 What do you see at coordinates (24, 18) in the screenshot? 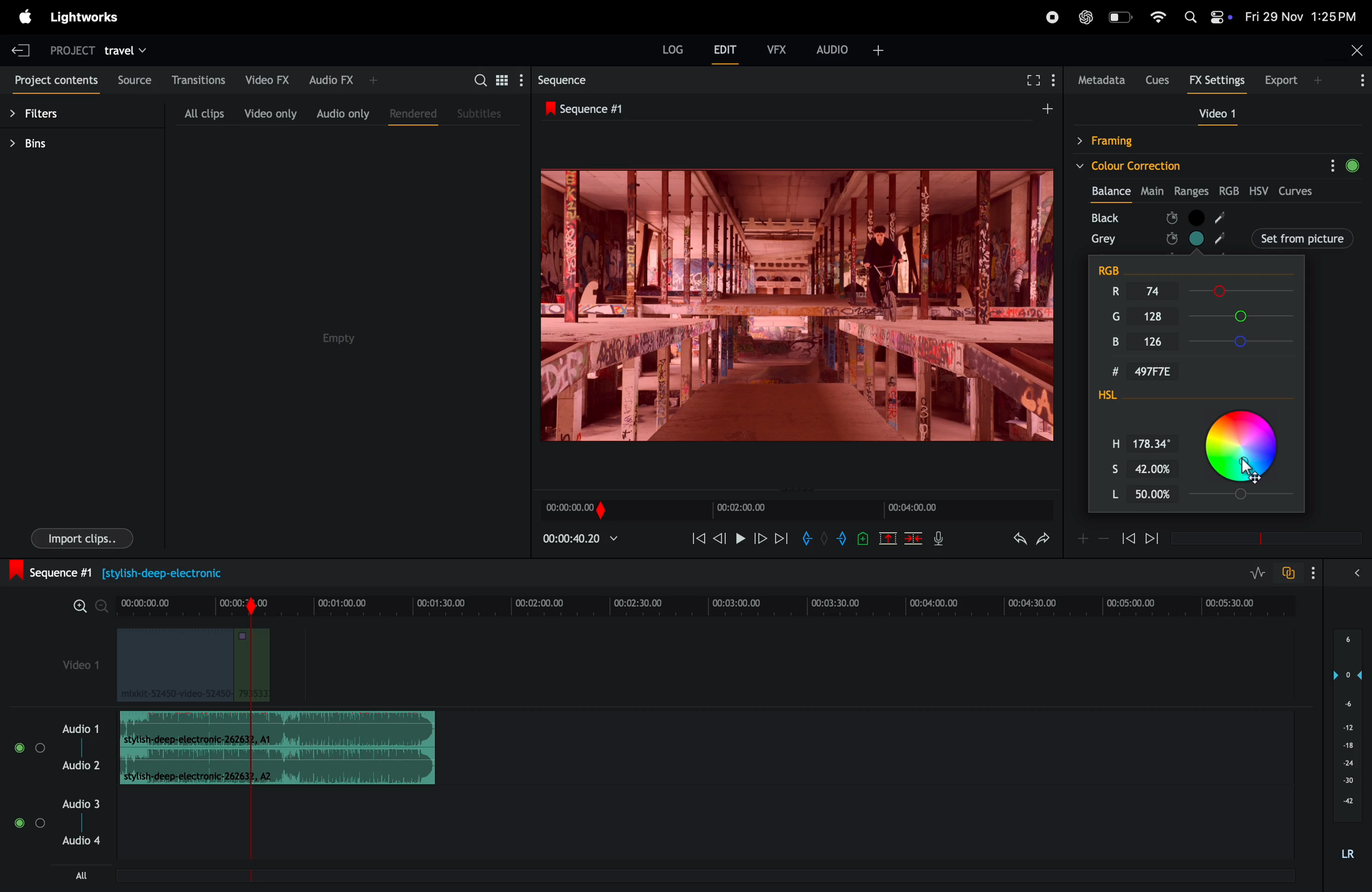
I see `apple menu` at bounding box center [24, 18].